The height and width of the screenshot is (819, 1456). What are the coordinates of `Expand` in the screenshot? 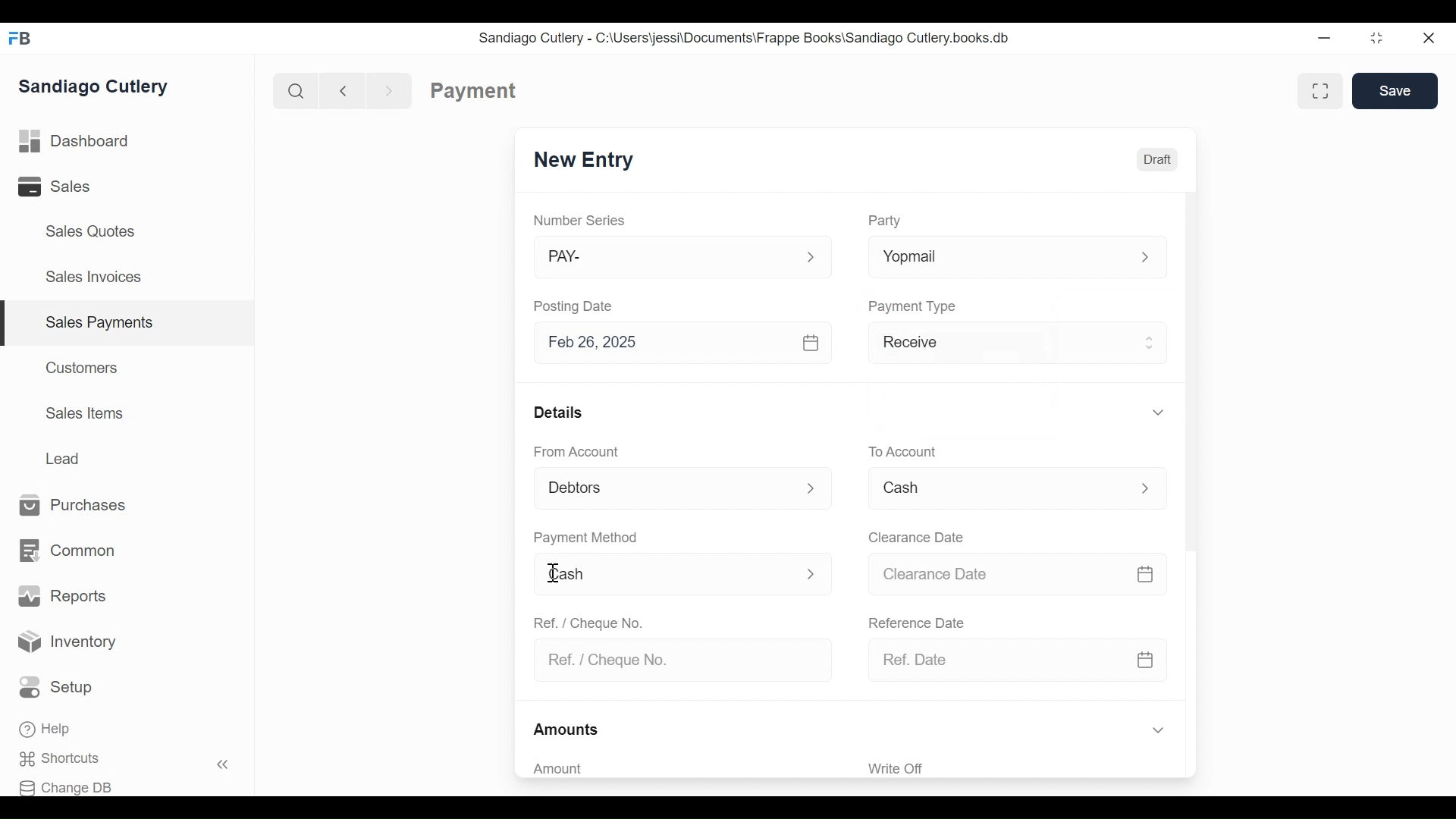 It's located at (1145, 259).